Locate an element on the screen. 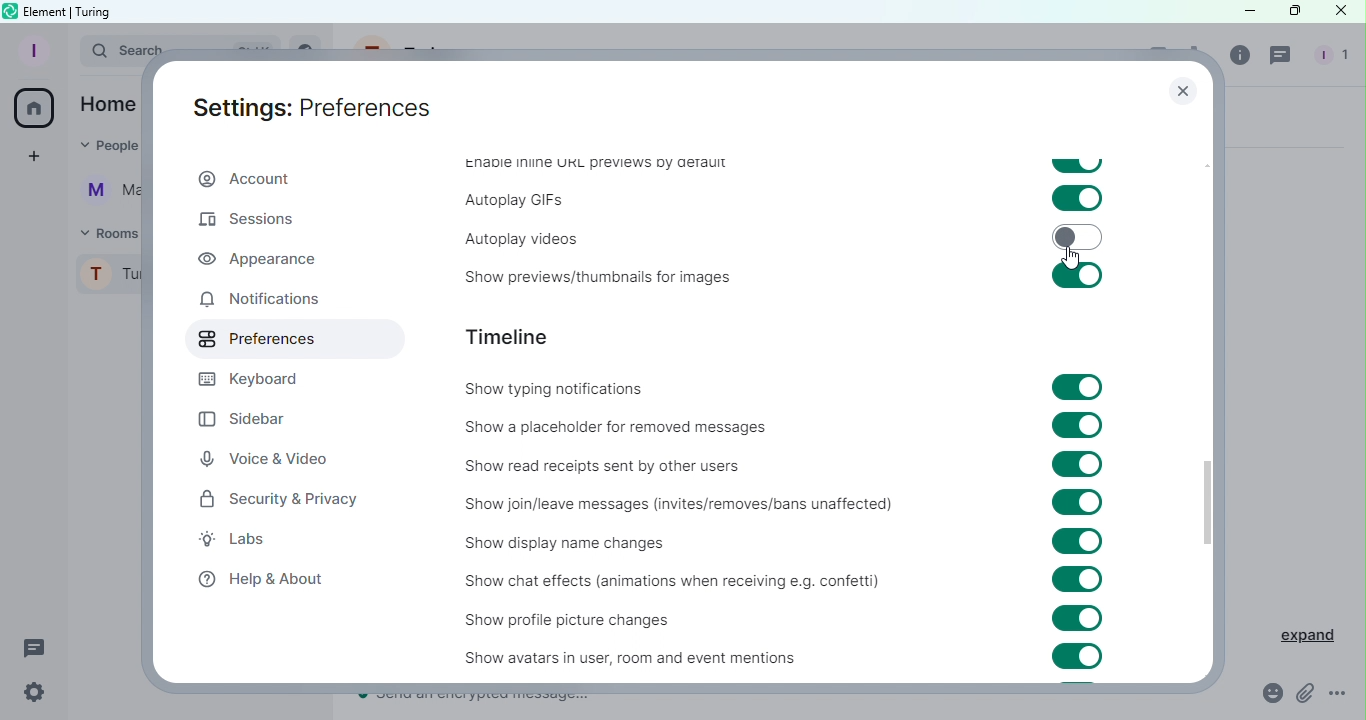  Toggle is located at coordinates (1079, 618).